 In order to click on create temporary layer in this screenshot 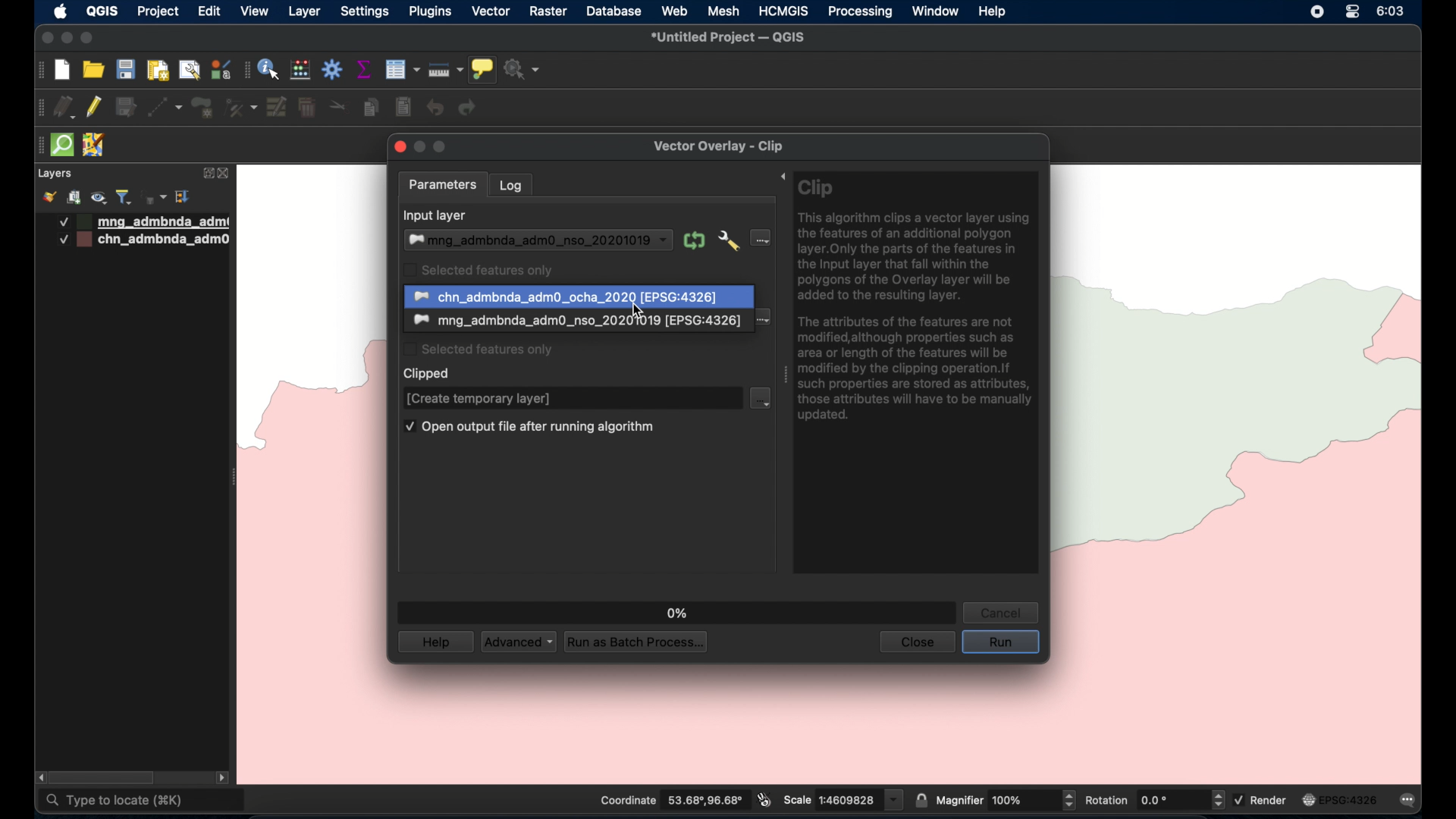, I will do `click(482, 399)`.